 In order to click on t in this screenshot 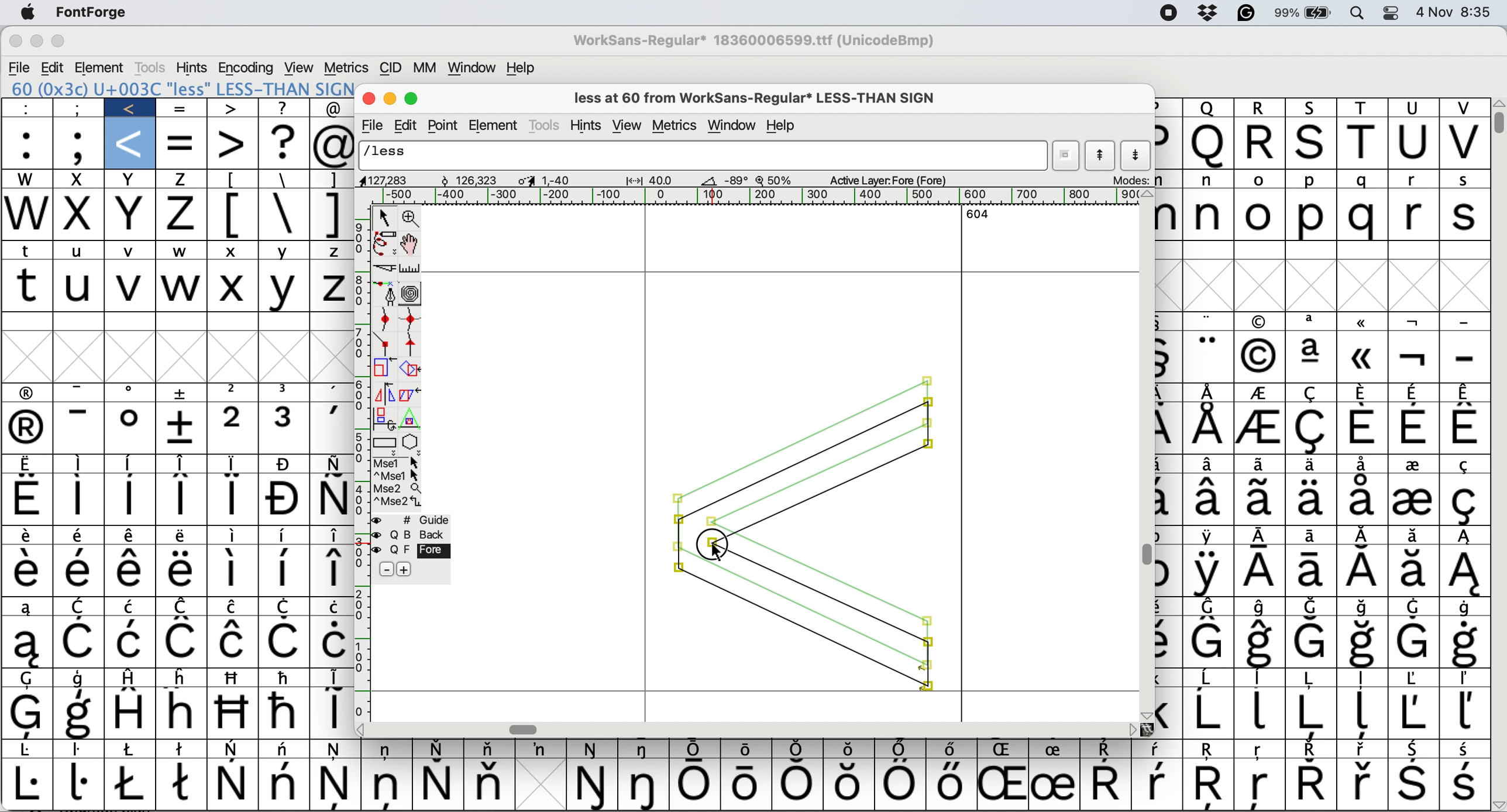, I will do `click(1364, 108)`.